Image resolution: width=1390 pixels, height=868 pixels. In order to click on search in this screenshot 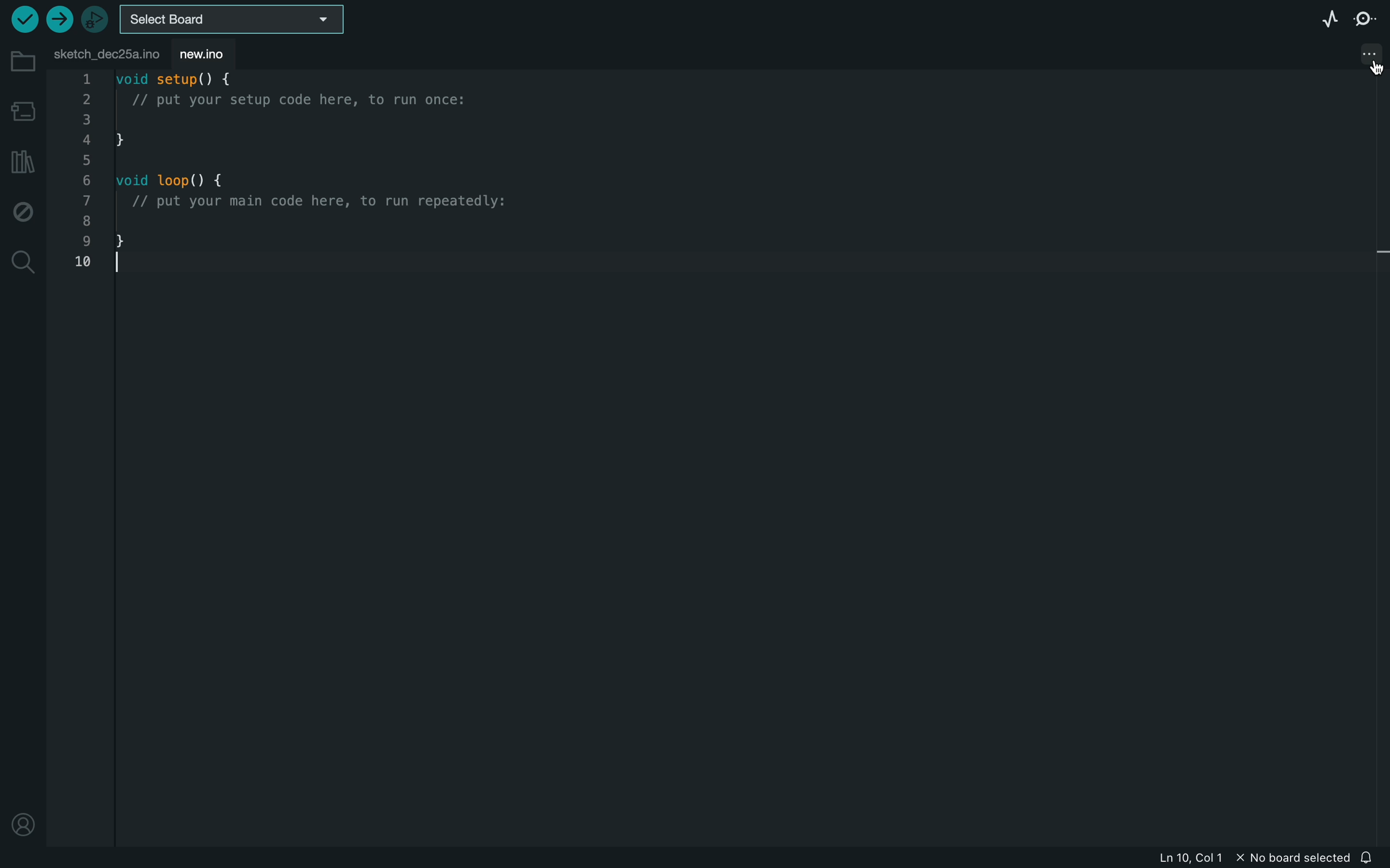, I will do `click(24, 262)`.